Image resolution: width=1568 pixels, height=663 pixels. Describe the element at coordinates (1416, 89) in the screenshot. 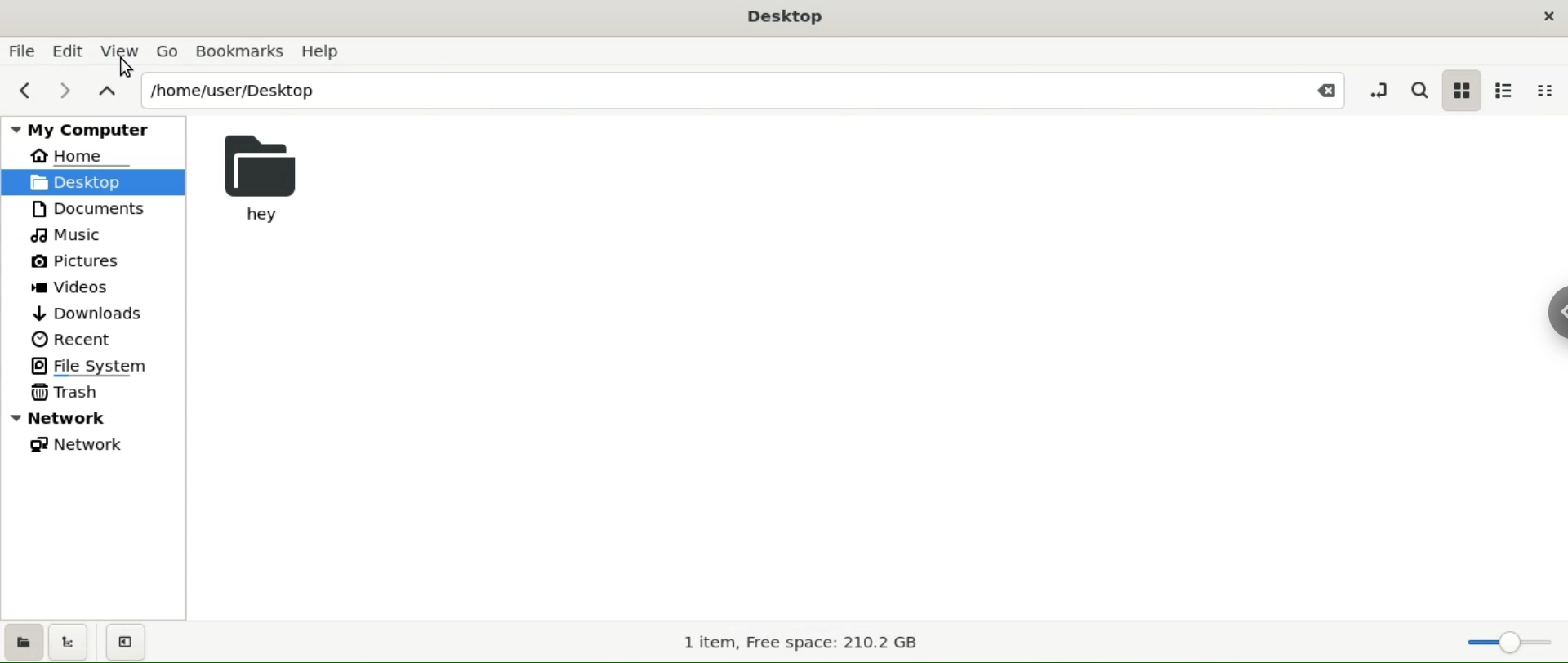

I see `search` at that location.